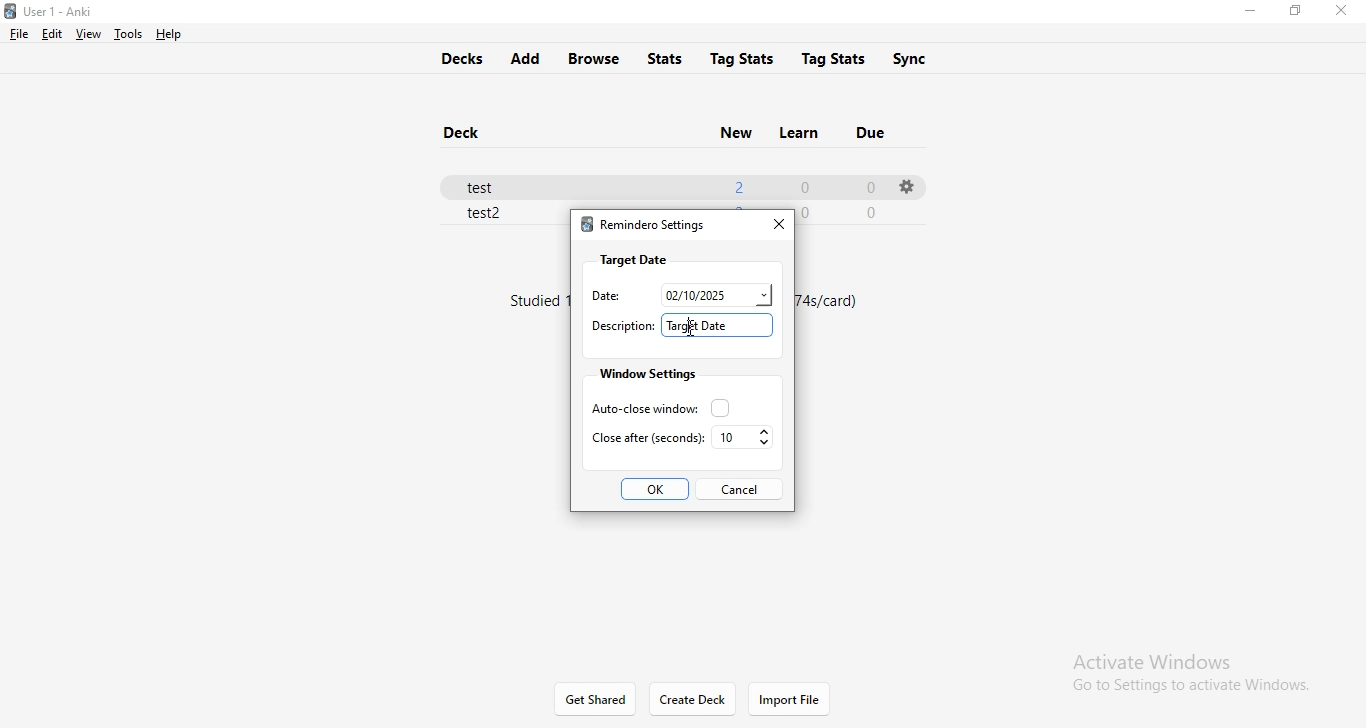  I want to click on 10, so click(744, 438).